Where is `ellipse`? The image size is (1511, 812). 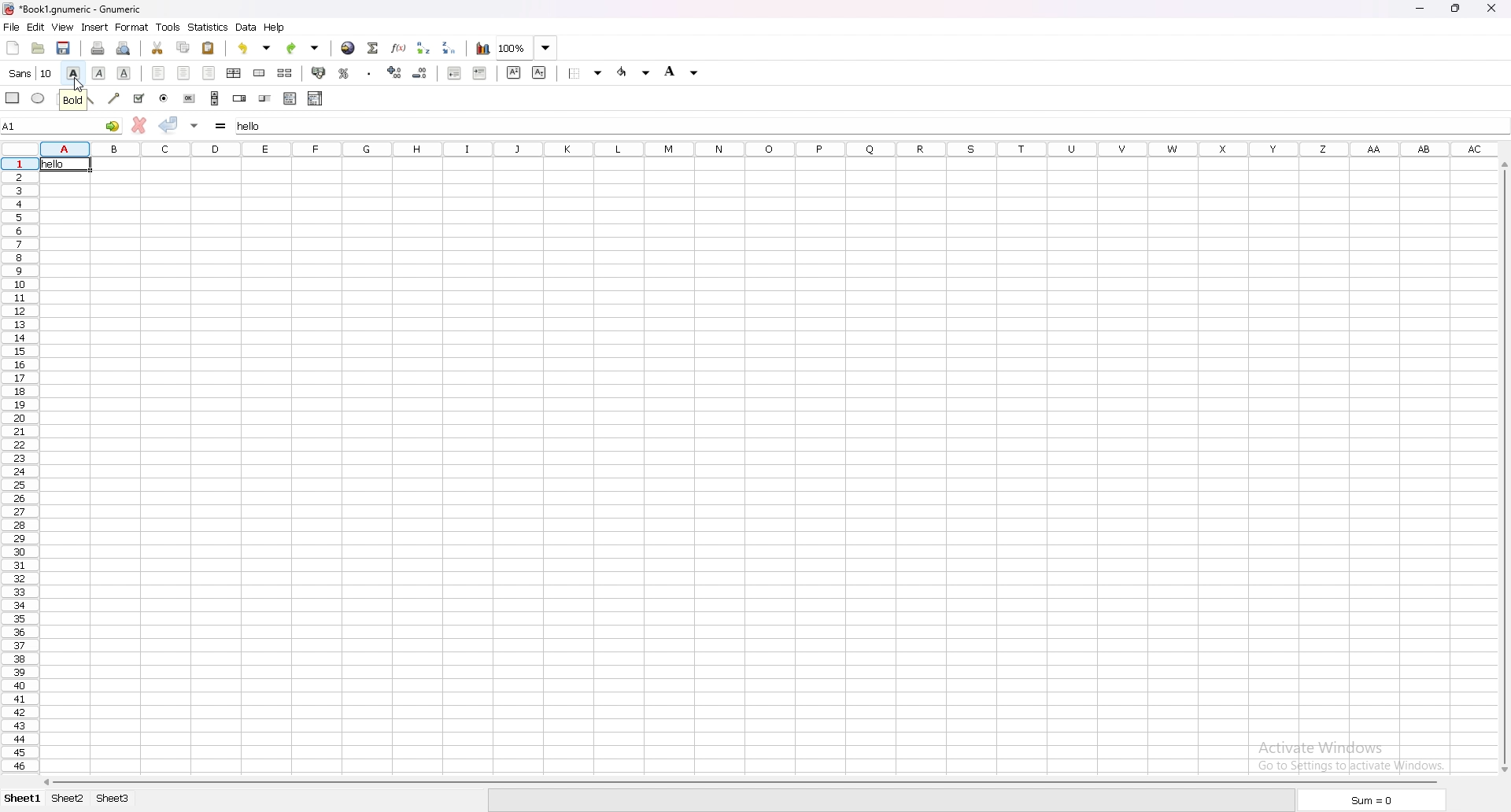 ellipse is located at coordinates (38, 98).